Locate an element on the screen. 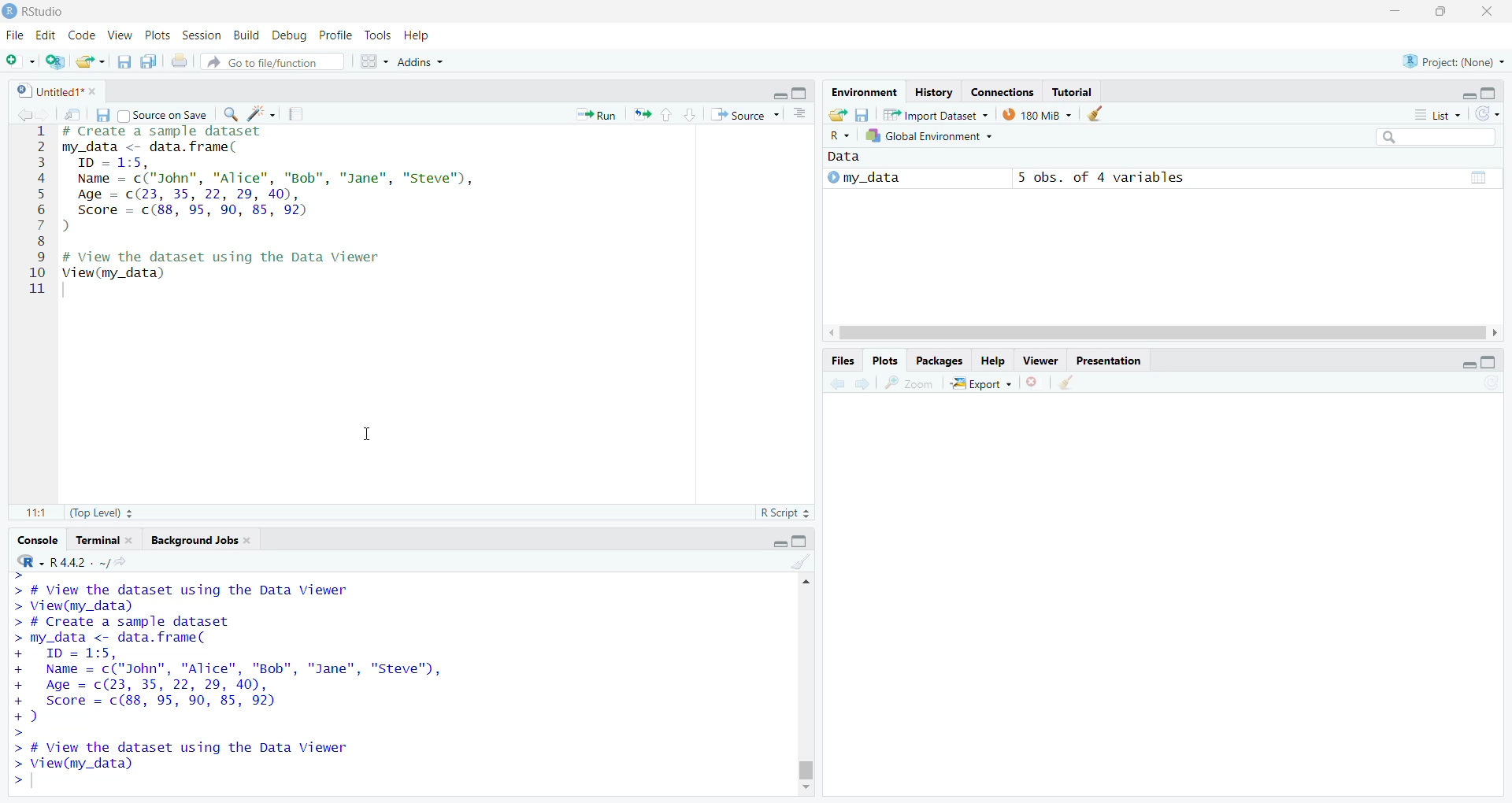  New file is located at coordinates (18, 59).